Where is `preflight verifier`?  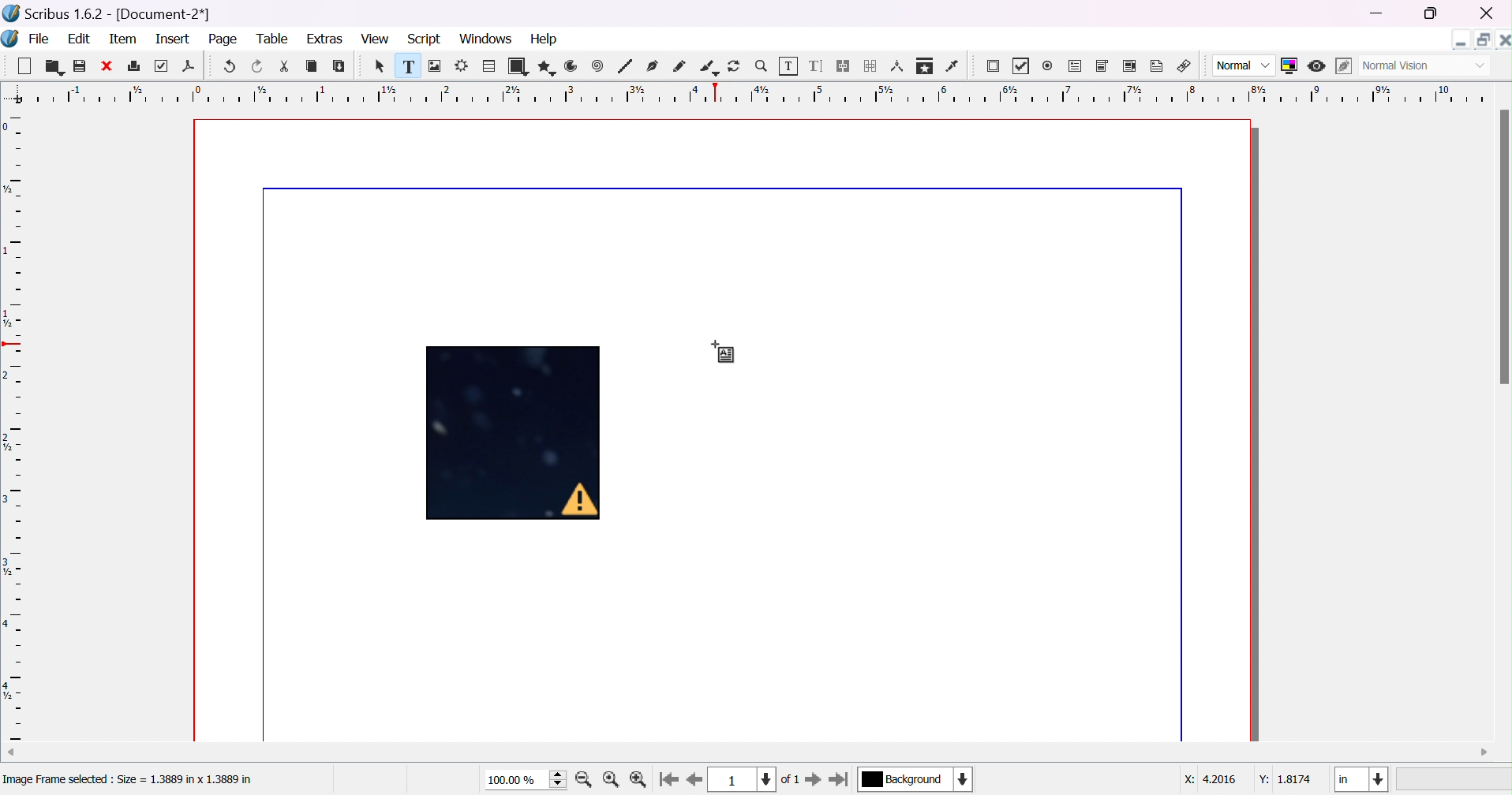 preflight verifier is located at coordinates (163, 66).